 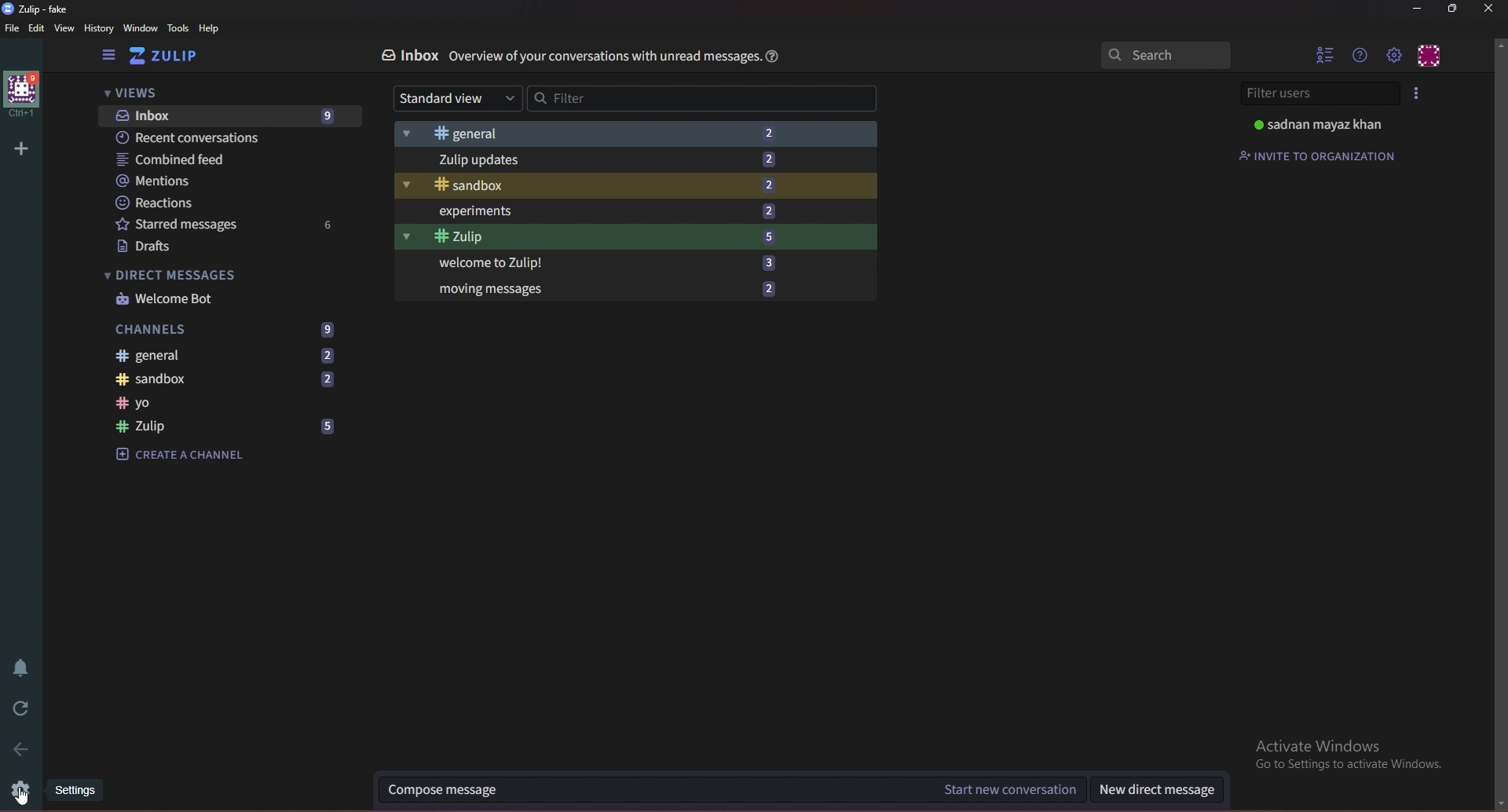 I want to click on Info, so click(x=606, y=57).